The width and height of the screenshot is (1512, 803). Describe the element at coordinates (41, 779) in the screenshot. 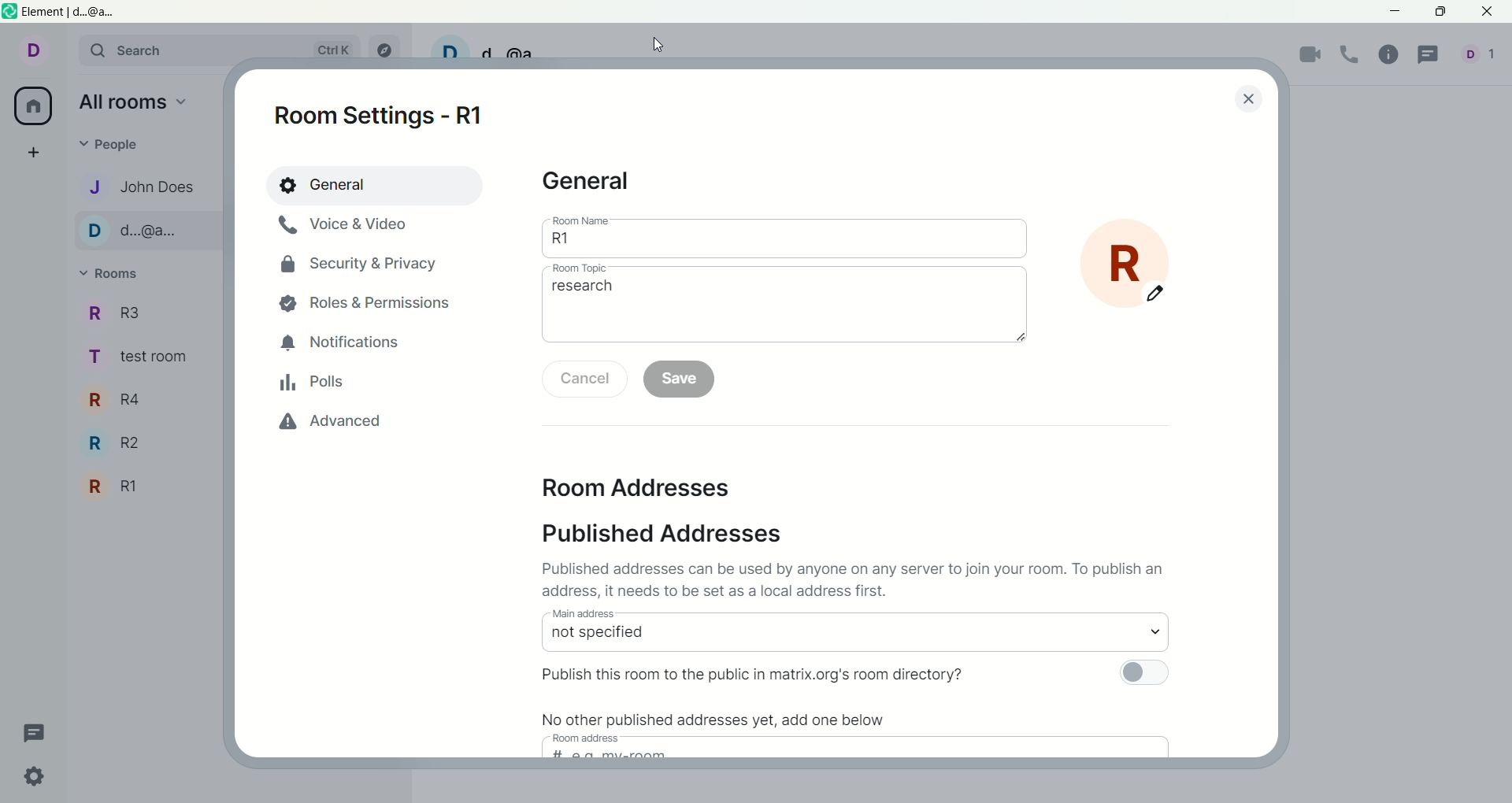

I see `quick settings` at that location.